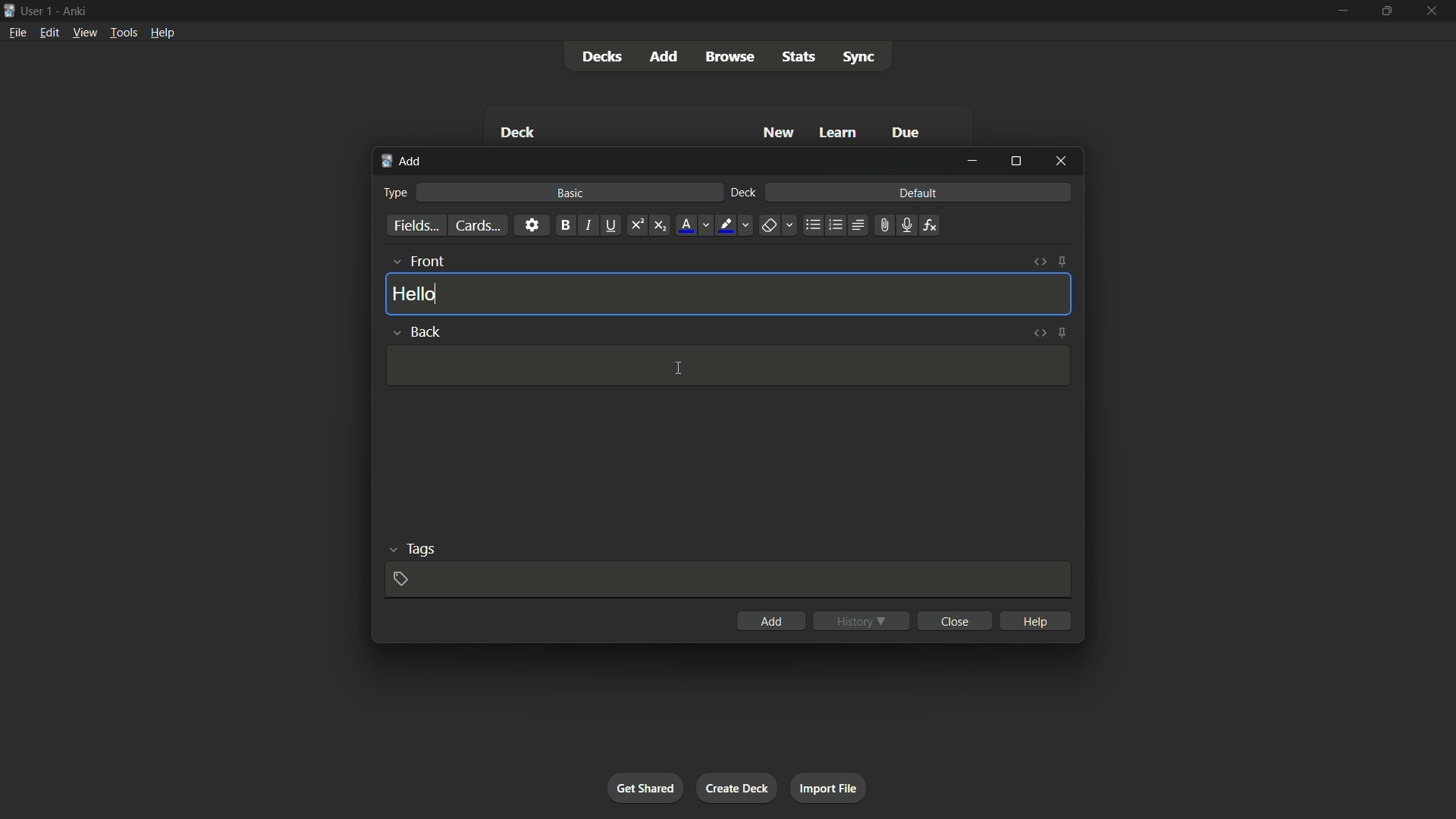  What do you see at coordinates (679, 368) in the screenshot?
I see `cursor` at bounding box center [679, 368].